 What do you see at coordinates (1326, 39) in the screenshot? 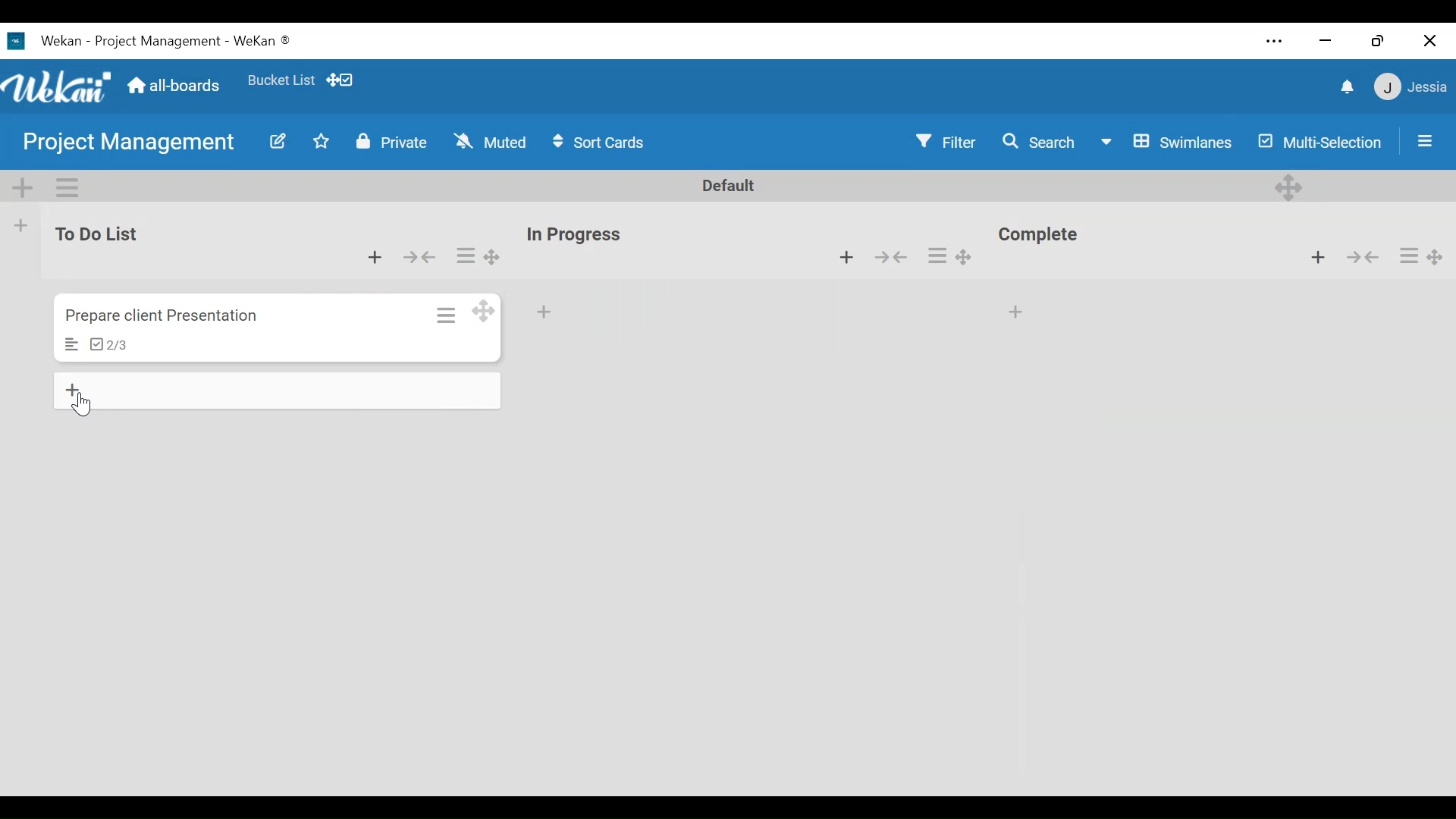
I see `minimize` at bounding box center [1326, 39].